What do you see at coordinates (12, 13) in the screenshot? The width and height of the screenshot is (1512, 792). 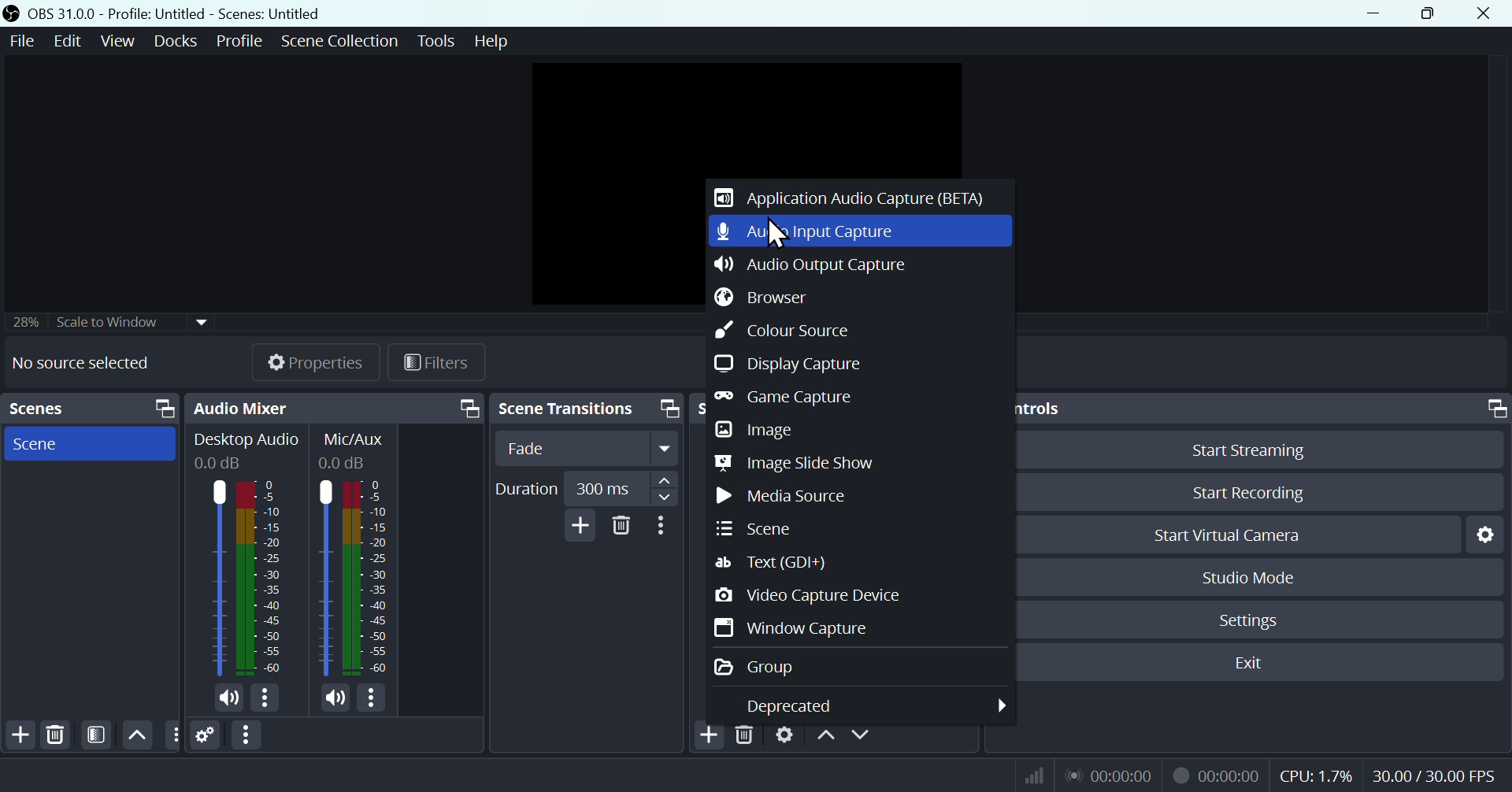 I see `OBS Studio Desktop Icon` at bounding box center [12, 13].